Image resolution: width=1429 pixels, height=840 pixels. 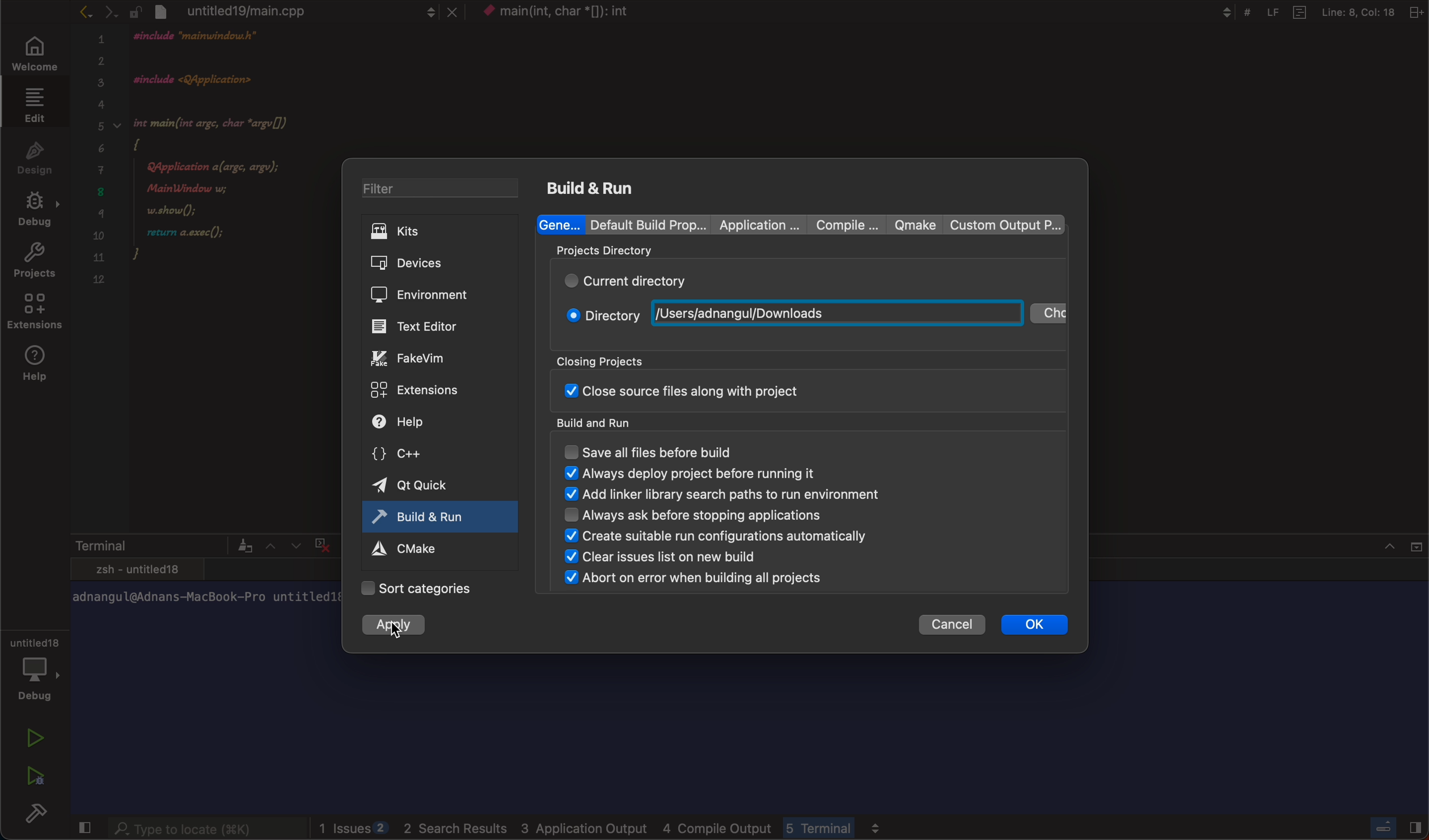 I want to click on extensions, so click(x=419, y=391).